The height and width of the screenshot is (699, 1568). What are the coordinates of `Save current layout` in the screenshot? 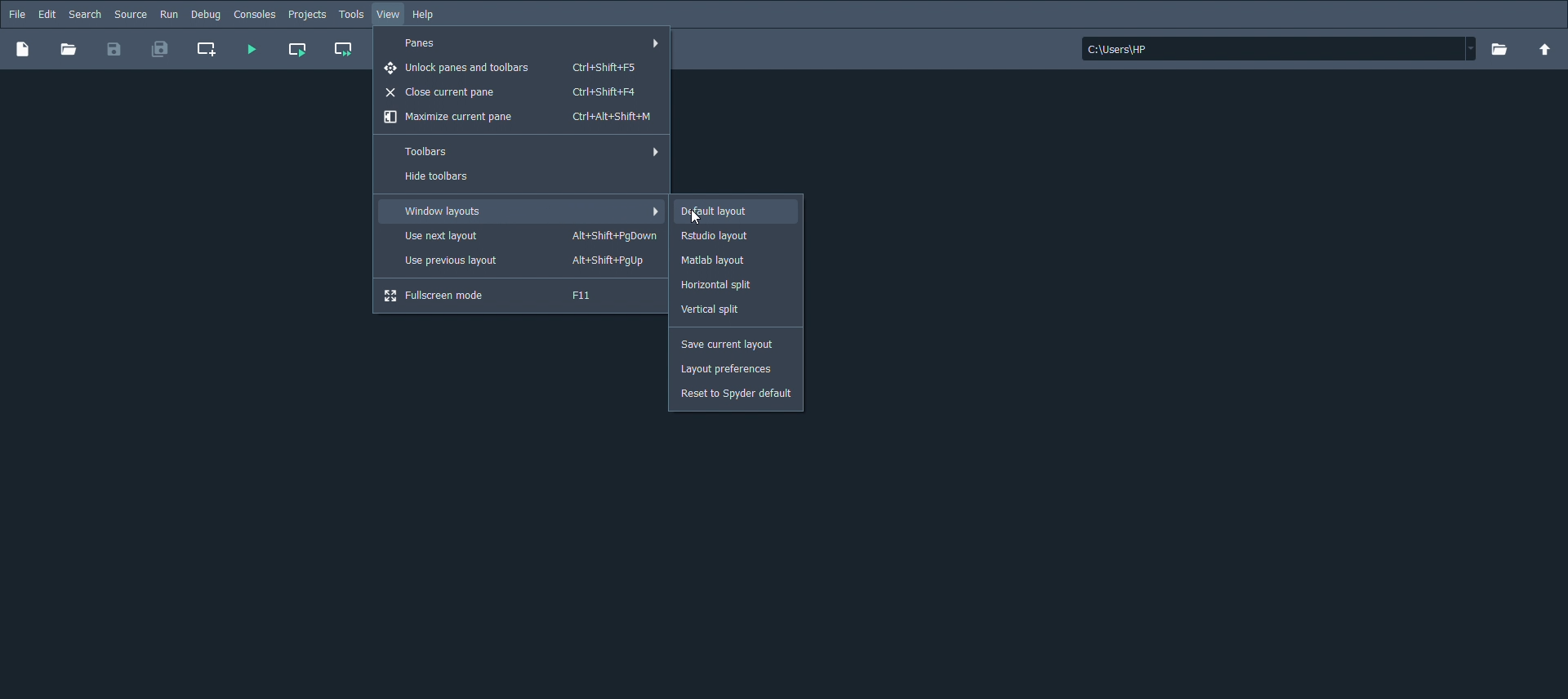 It's located at (731, 345).